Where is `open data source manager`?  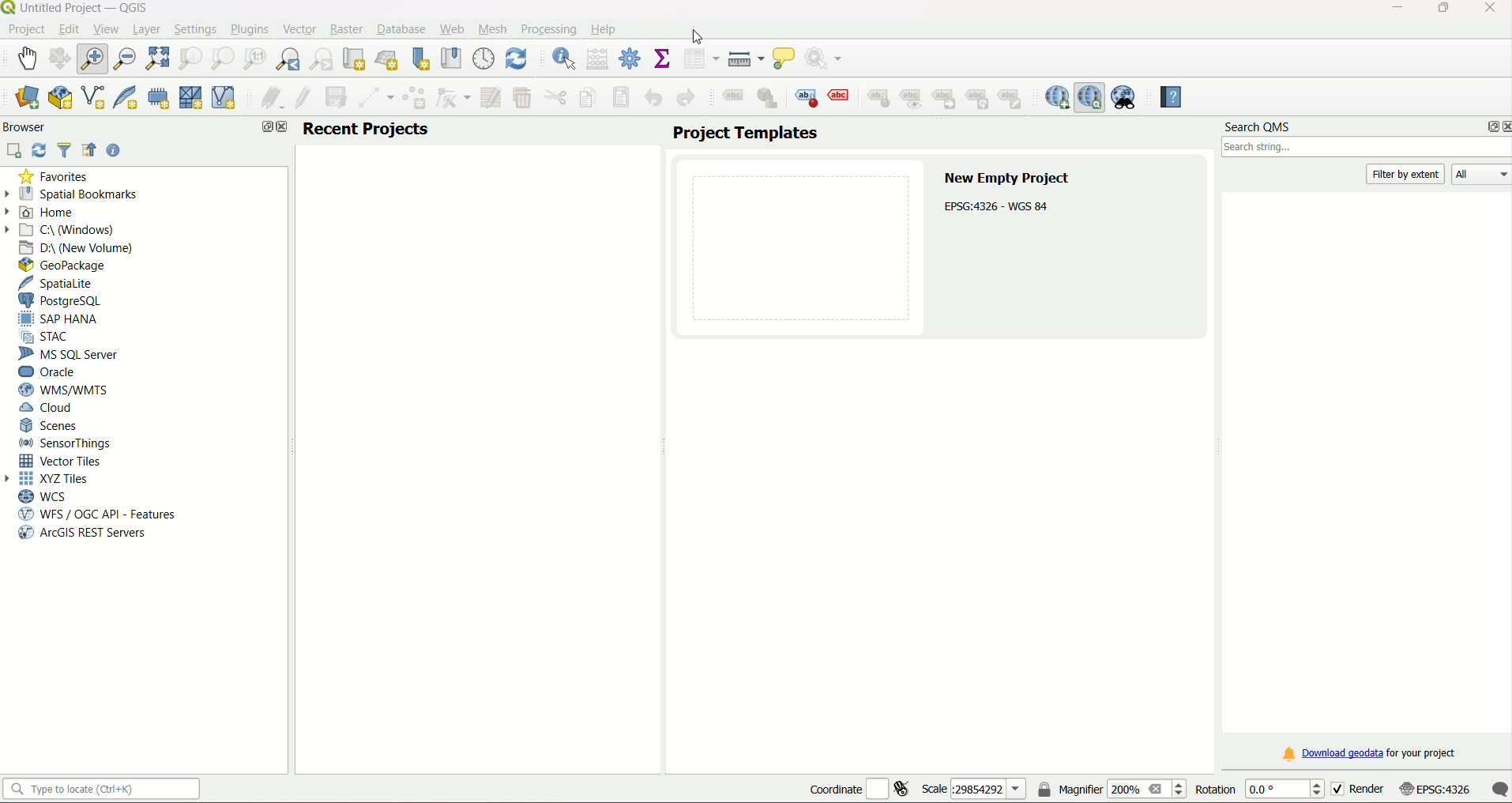 open data source manager is located at coordinates (26, 98).